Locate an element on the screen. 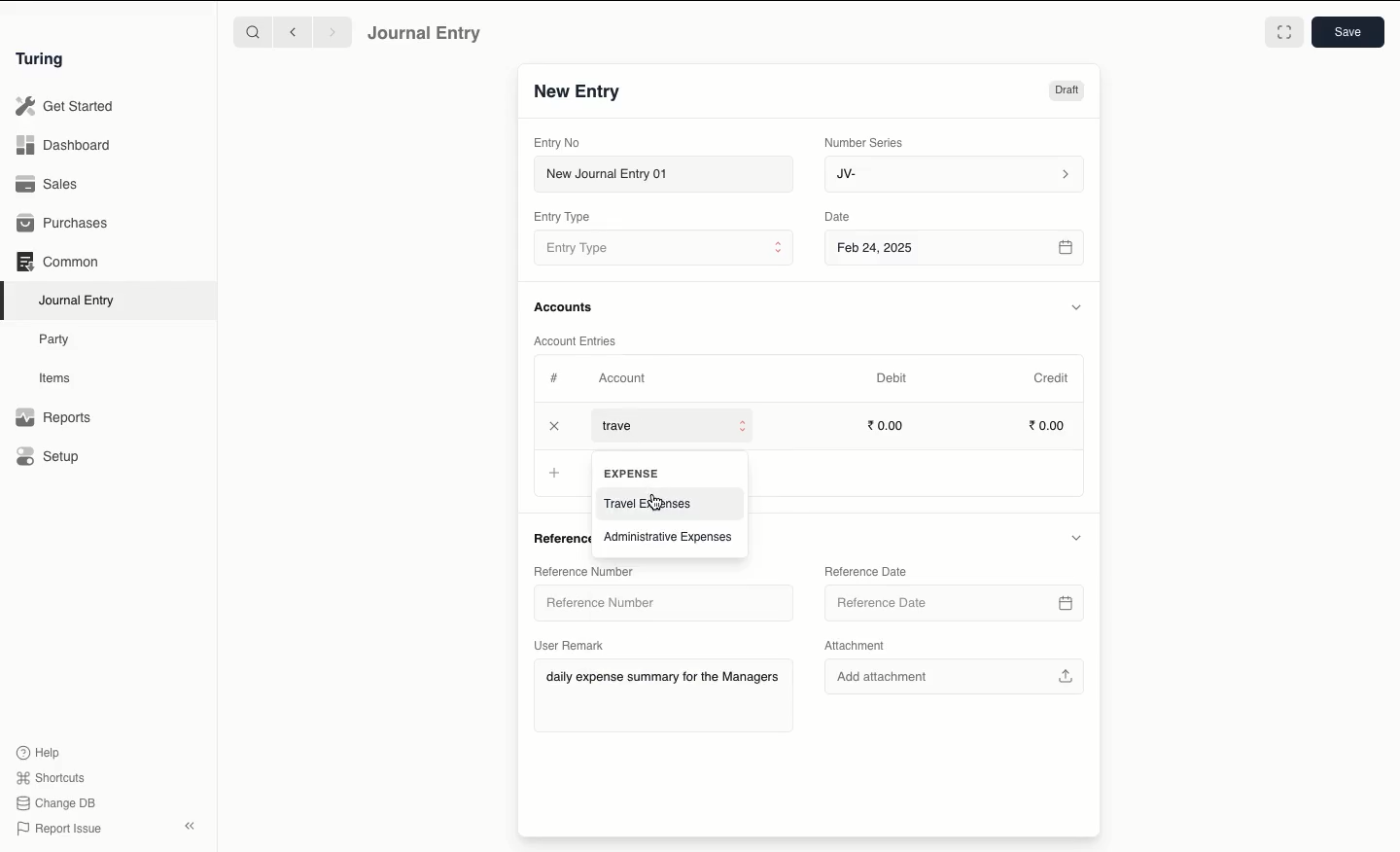 Image resolution: width=1400 pixels, height=852 pixels. Entry No is located at coordinates (557, 143).